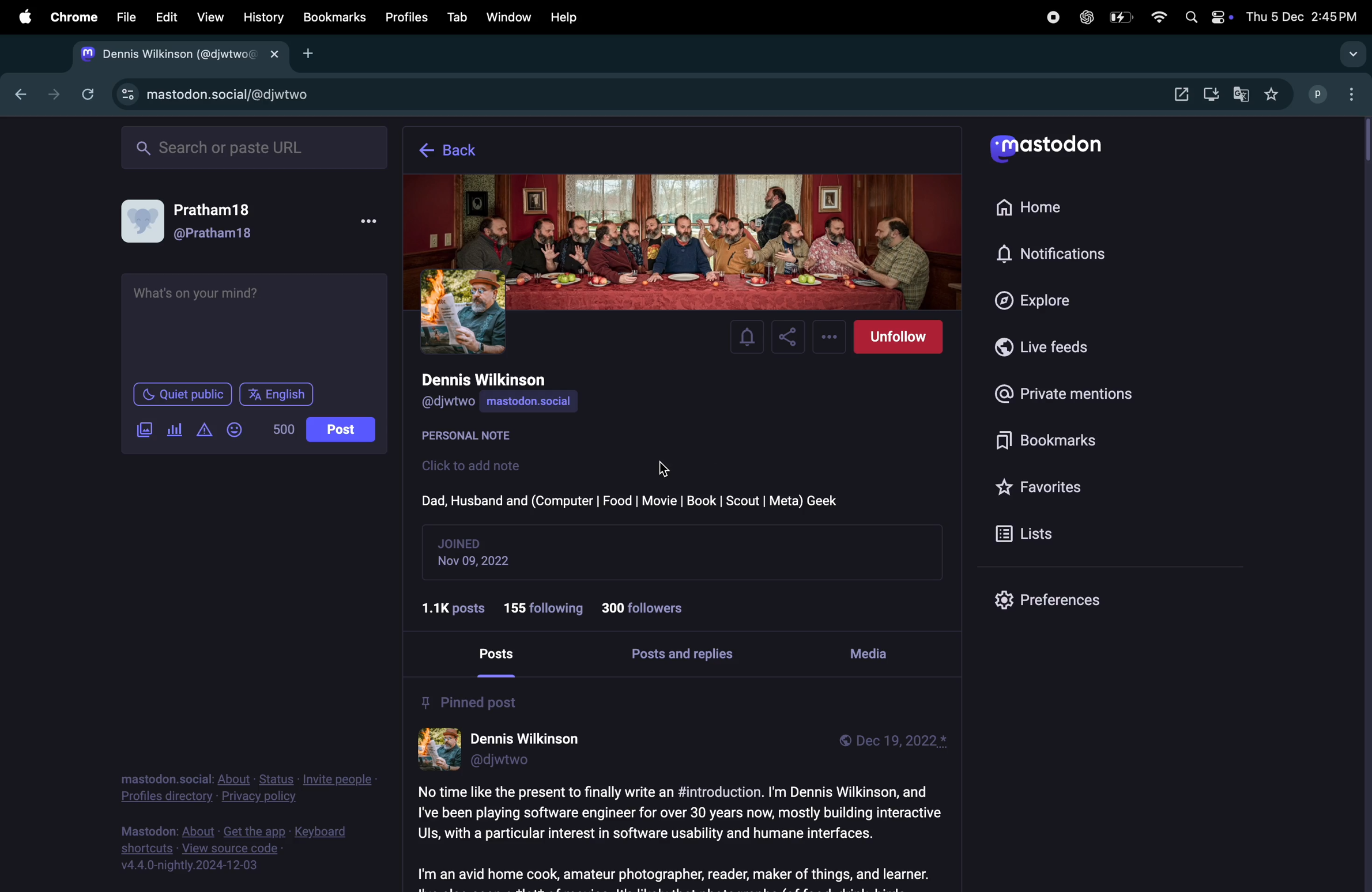 The image size is (1372, 892). Describe the element at coordinates (210, 95) in the screenshot. I see `mastodn url` at that location.